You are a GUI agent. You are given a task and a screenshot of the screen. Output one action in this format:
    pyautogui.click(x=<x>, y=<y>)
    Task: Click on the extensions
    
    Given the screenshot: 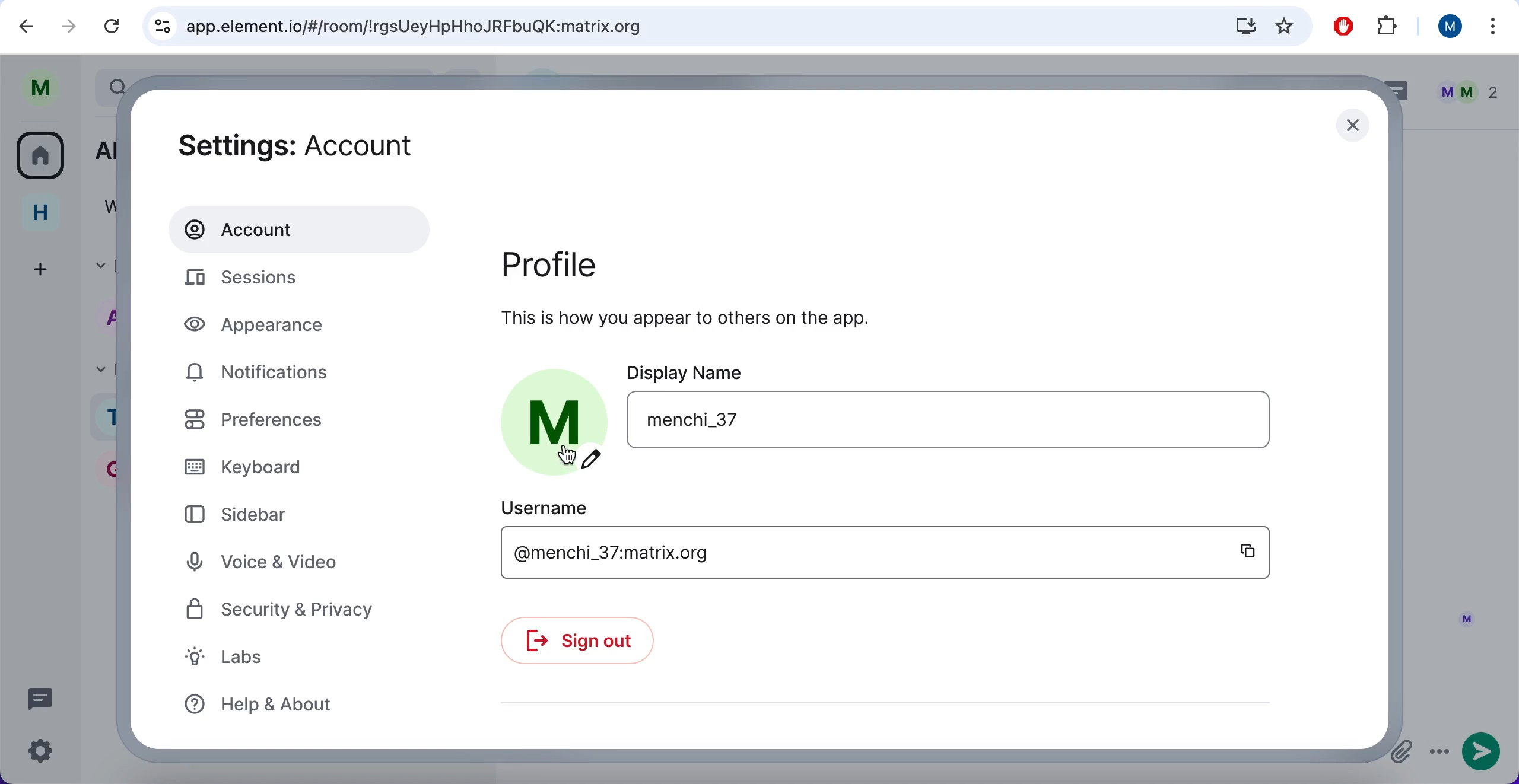 What is the action you would take?
    pyautogui.click(x=1389, y=28)
    